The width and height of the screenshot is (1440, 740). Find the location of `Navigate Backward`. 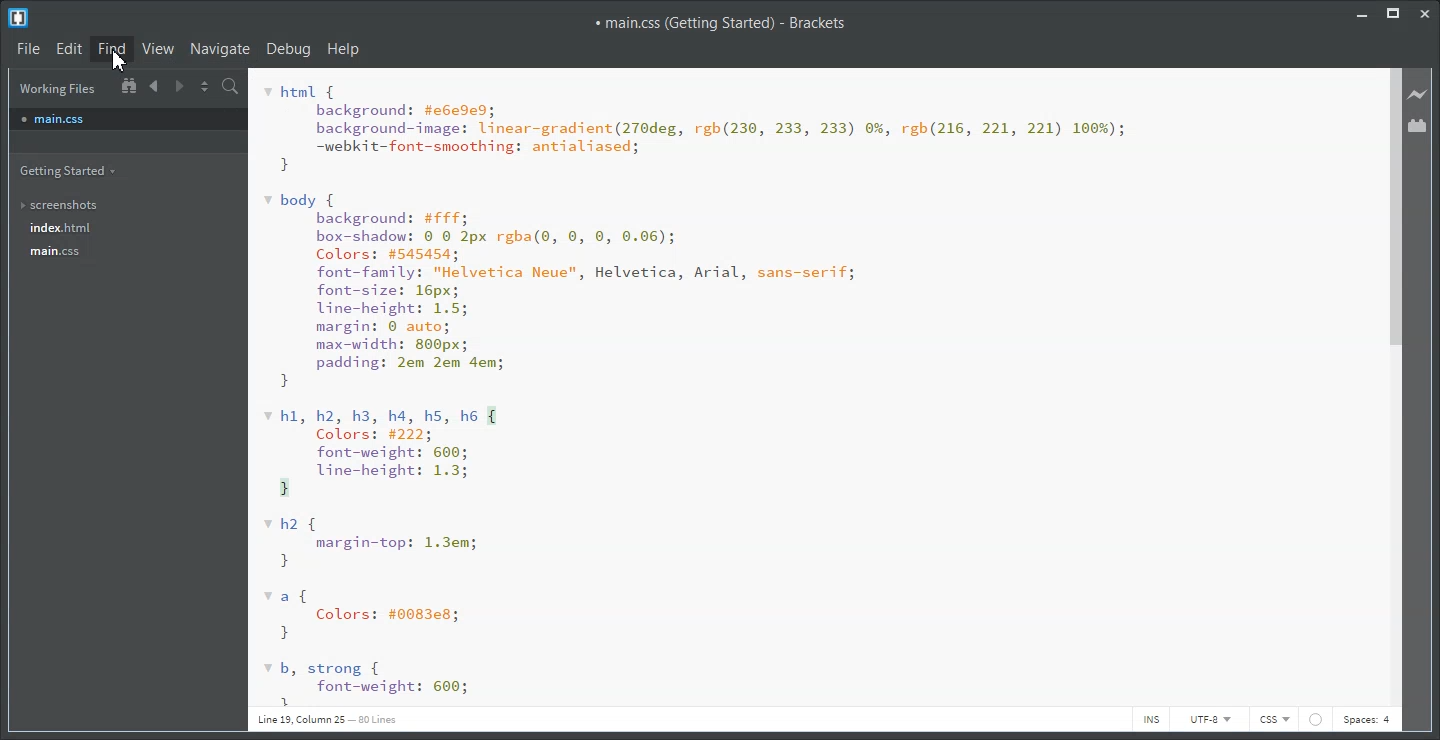

Navigate Backward is located at coordinates (156, 85).